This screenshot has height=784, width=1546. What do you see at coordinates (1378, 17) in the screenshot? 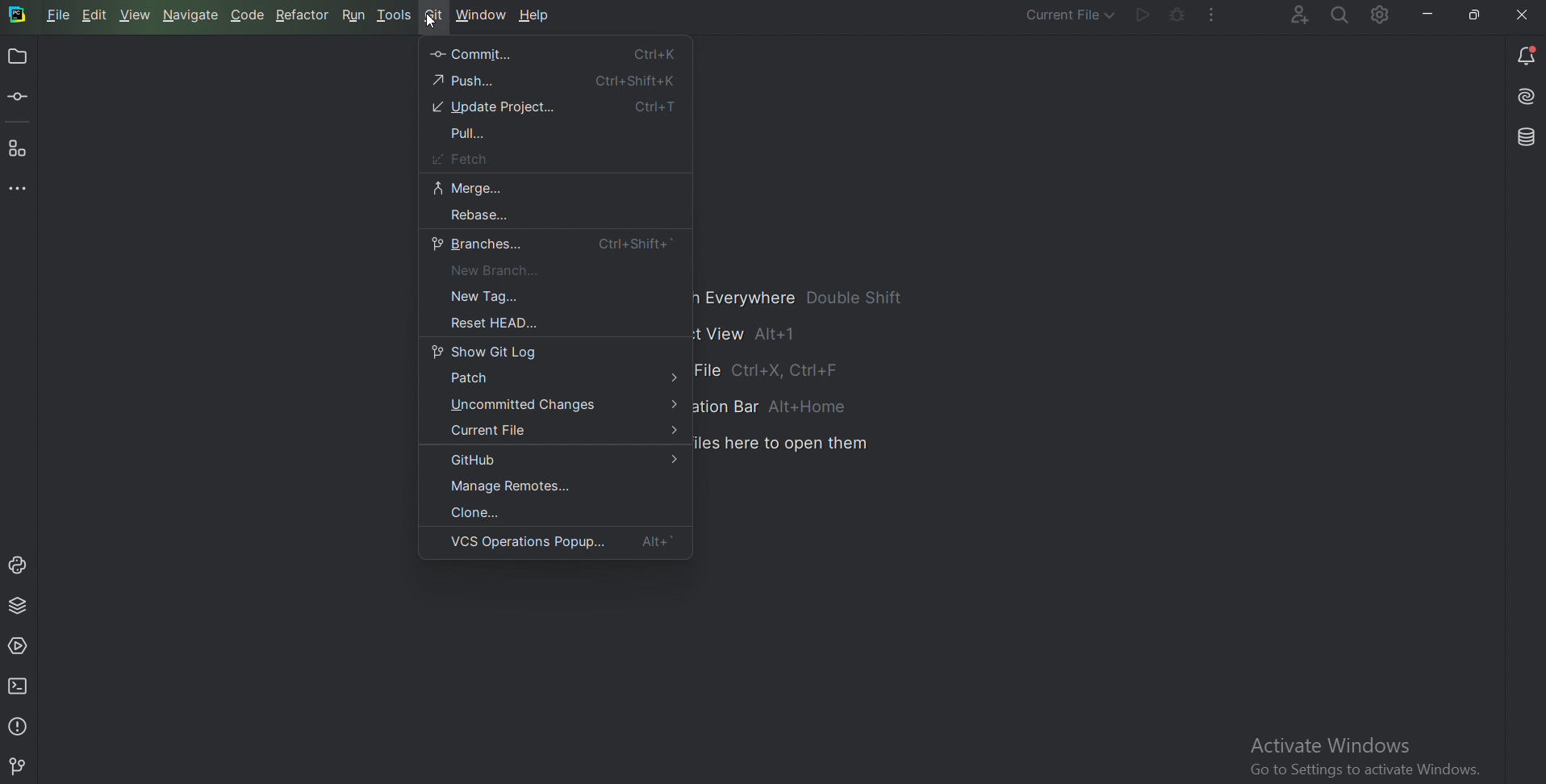
I see `Setting` at bounding box center [1378, 17].